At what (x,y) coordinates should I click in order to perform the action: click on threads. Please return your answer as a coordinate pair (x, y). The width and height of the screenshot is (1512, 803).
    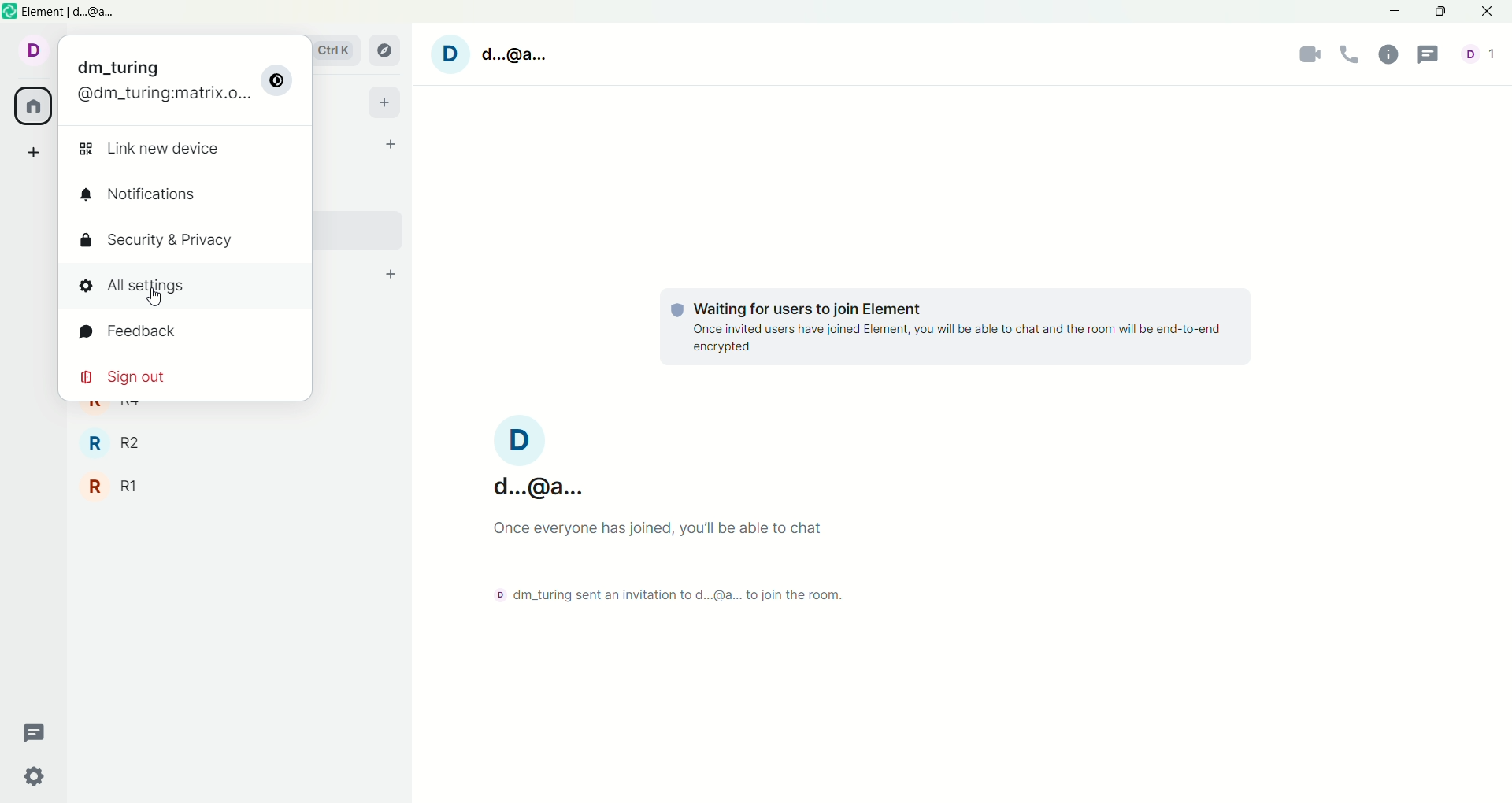
    Looking at the image, I should click on (35, 730).